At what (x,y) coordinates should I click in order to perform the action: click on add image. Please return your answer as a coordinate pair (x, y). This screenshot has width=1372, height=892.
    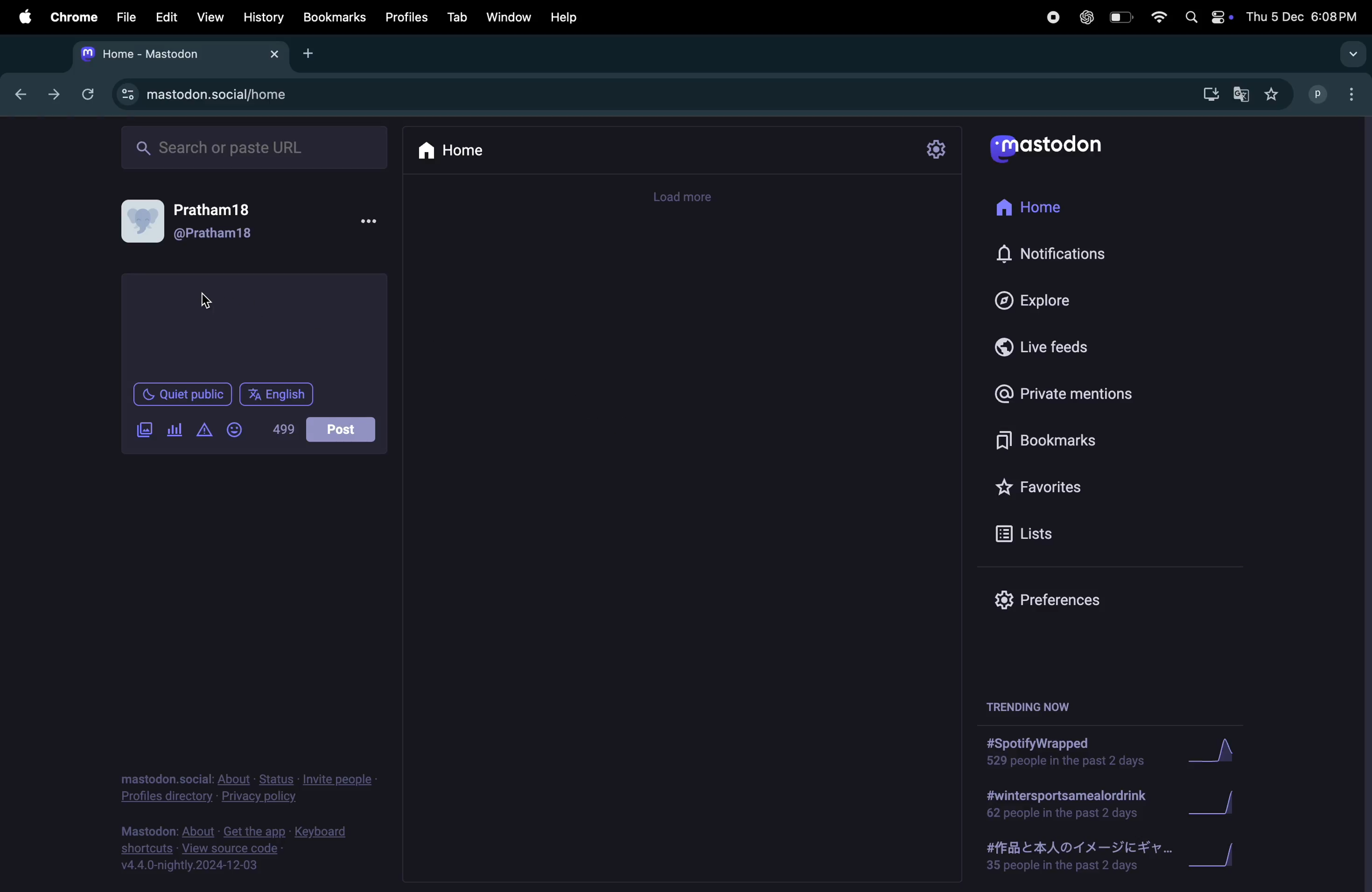
    Looking at the image, I should click on (145, 429).